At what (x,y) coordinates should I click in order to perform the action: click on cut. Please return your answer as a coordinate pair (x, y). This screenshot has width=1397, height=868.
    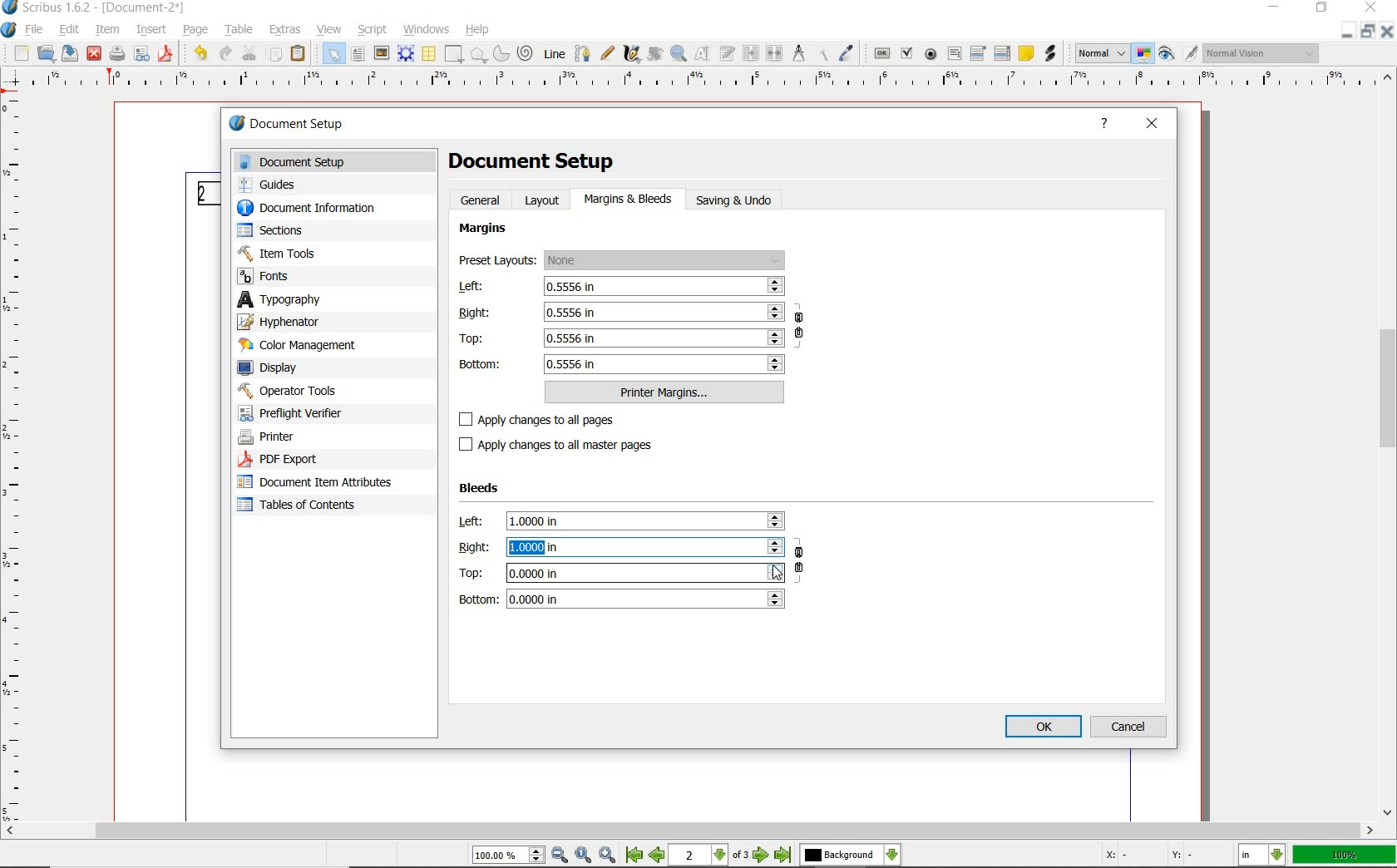
    Looking at the image, I should click on (249, 52).